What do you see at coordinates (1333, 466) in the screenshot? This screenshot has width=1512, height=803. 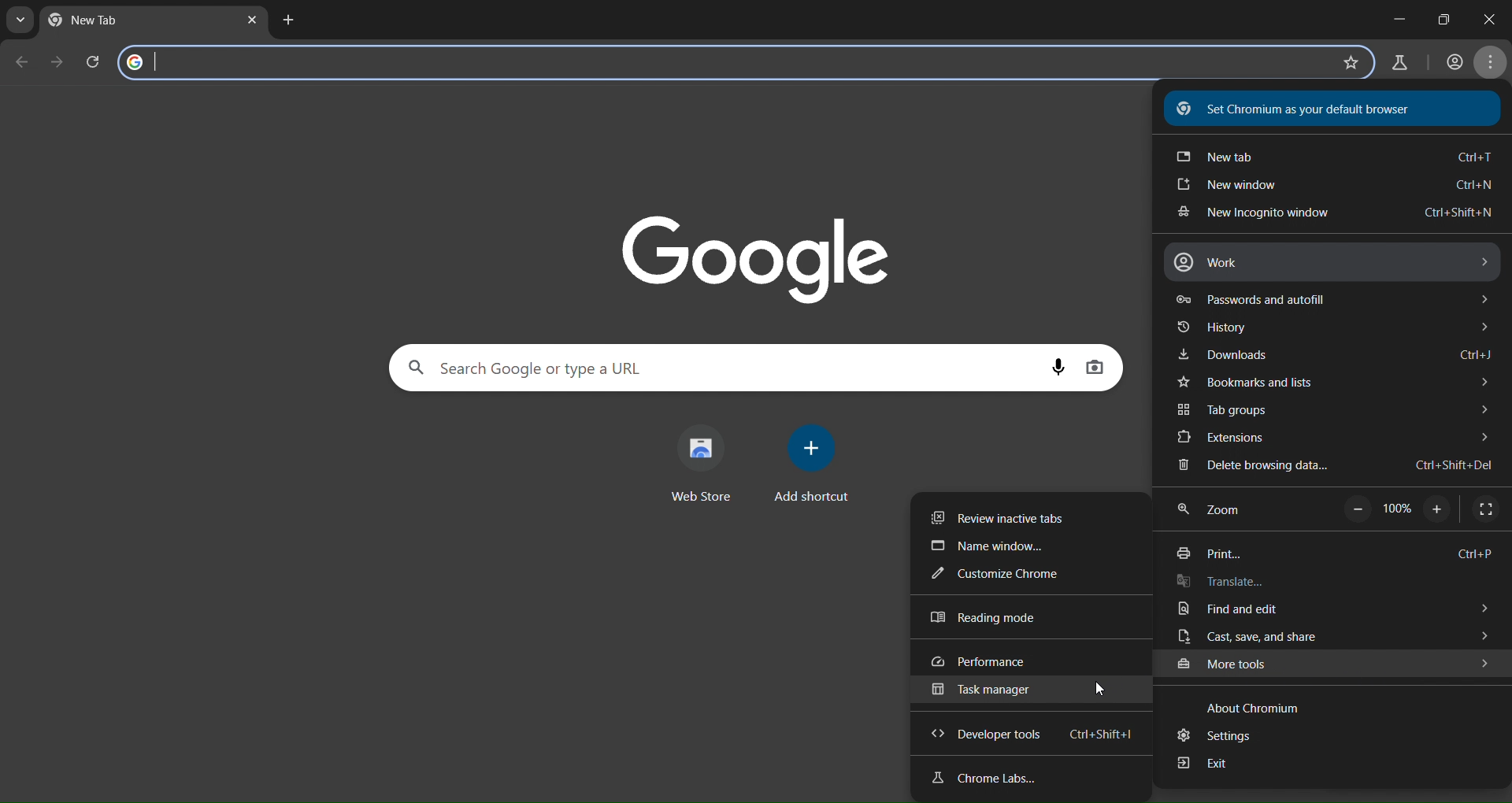 I see `delete browisng data` at bounding box center [1333, 466].